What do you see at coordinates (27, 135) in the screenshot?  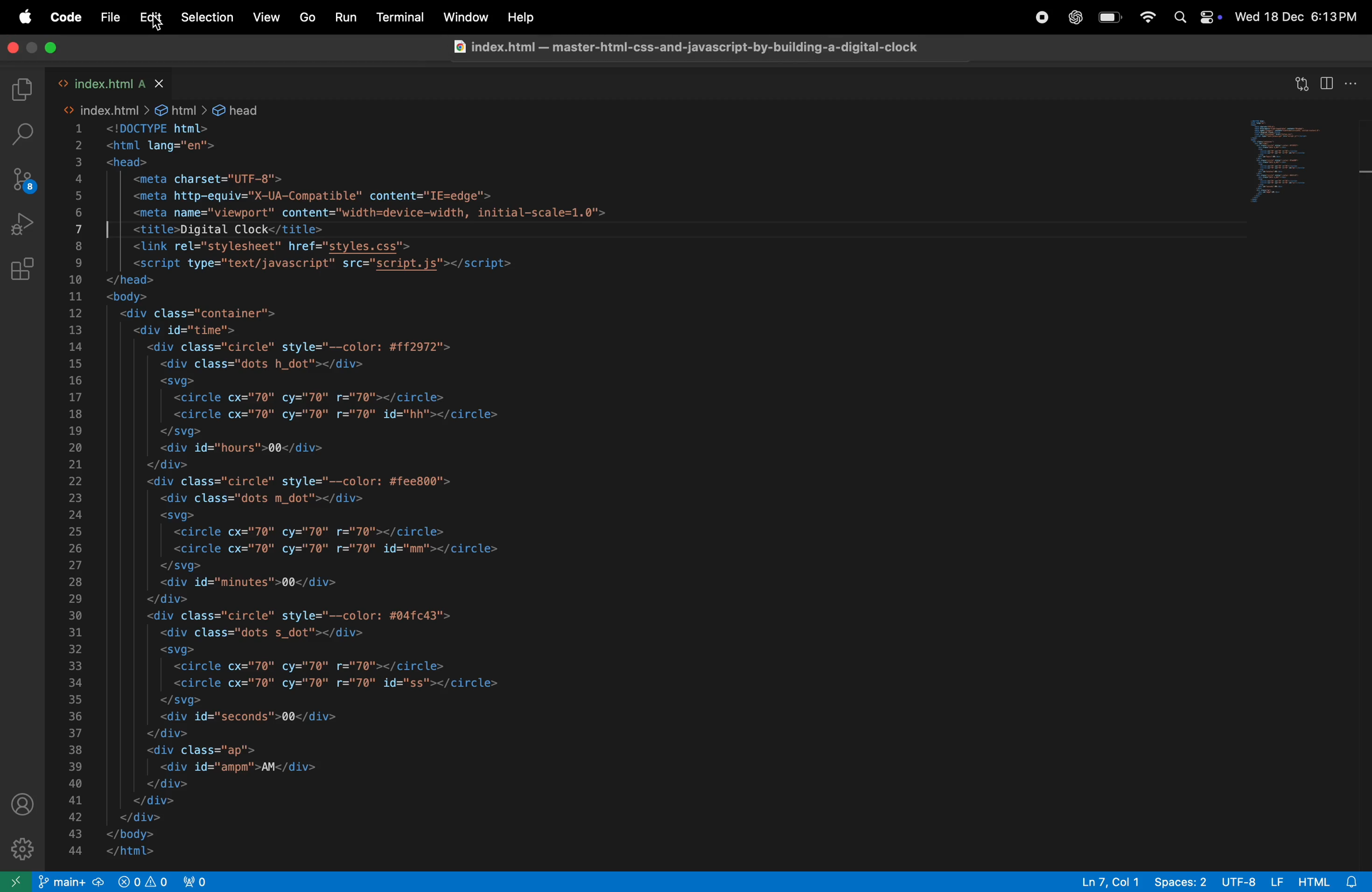 I see `search` at bounding box center [27, 135].